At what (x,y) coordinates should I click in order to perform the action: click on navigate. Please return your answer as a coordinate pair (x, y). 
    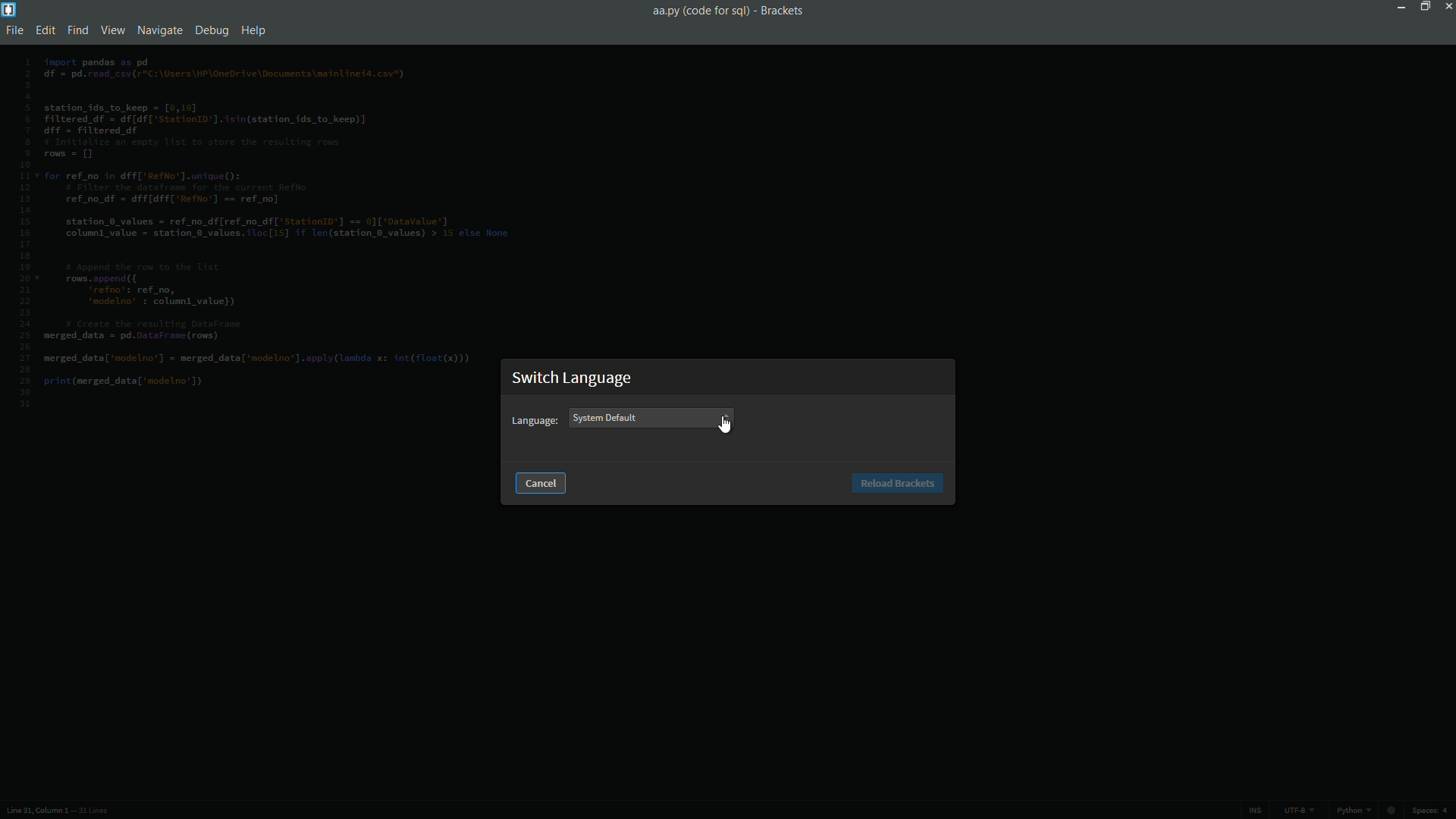
    Looking at the image, I should click on (157, 30).